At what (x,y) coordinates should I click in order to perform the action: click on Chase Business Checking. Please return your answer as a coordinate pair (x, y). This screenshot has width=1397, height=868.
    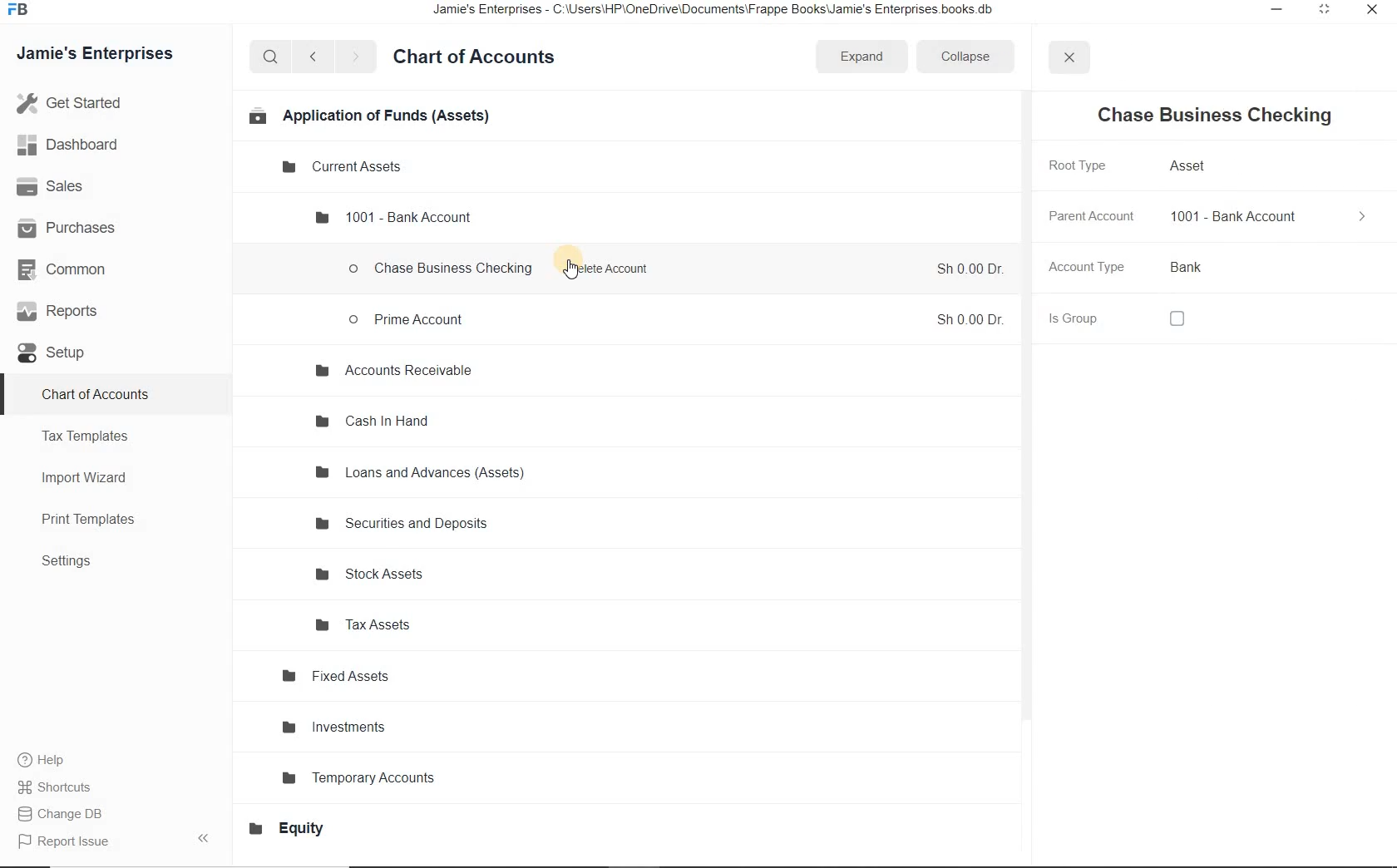
    Looking at the image, I should click on (1212, 116).